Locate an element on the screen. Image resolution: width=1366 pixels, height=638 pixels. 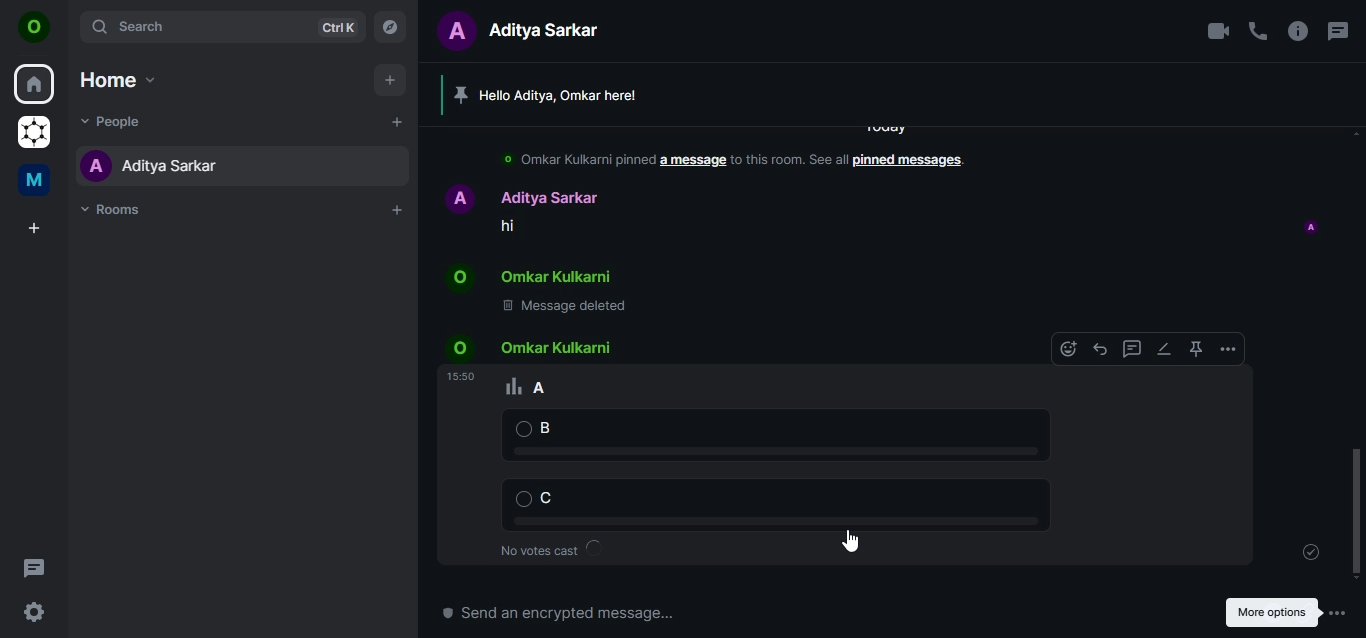
pin is located at coordinates (1194, 349).